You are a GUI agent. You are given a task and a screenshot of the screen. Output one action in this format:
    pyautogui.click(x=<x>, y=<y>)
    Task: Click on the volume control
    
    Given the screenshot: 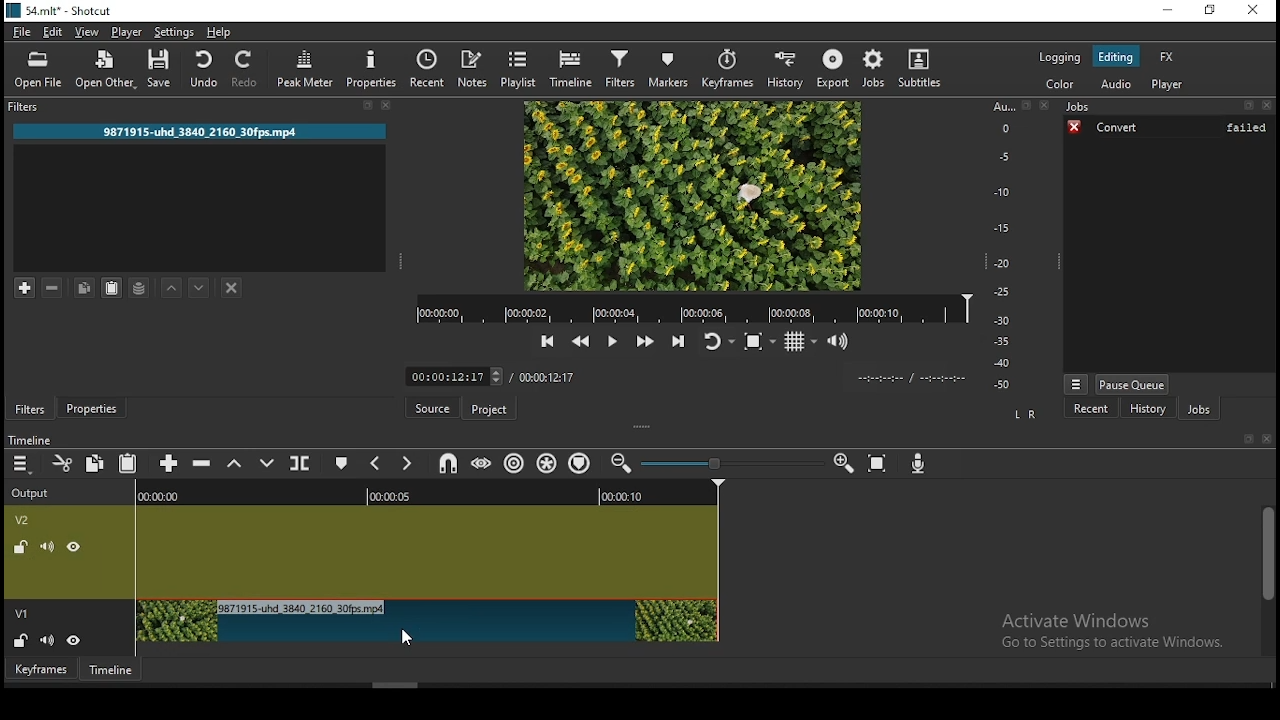 What is the action you would take?
    pyautogui.click(x=840, y=343)
    